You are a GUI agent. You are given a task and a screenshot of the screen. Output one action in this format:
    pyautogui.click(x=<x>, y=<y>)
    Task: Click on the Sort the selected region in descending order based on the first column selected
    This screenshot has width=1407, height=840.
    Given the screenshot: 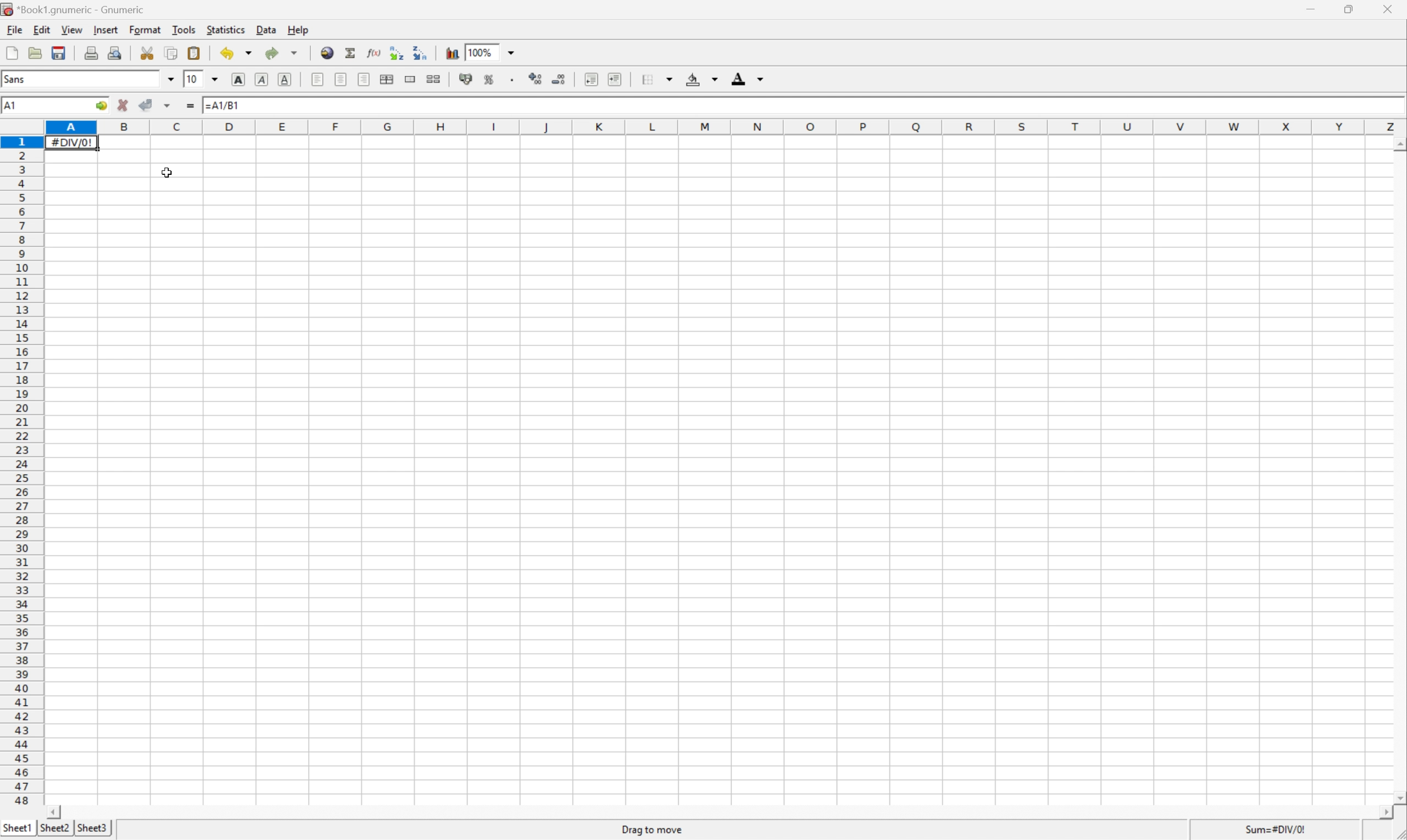 What is the action you would take?
    pyautogui.click(x=421, y=53)
    